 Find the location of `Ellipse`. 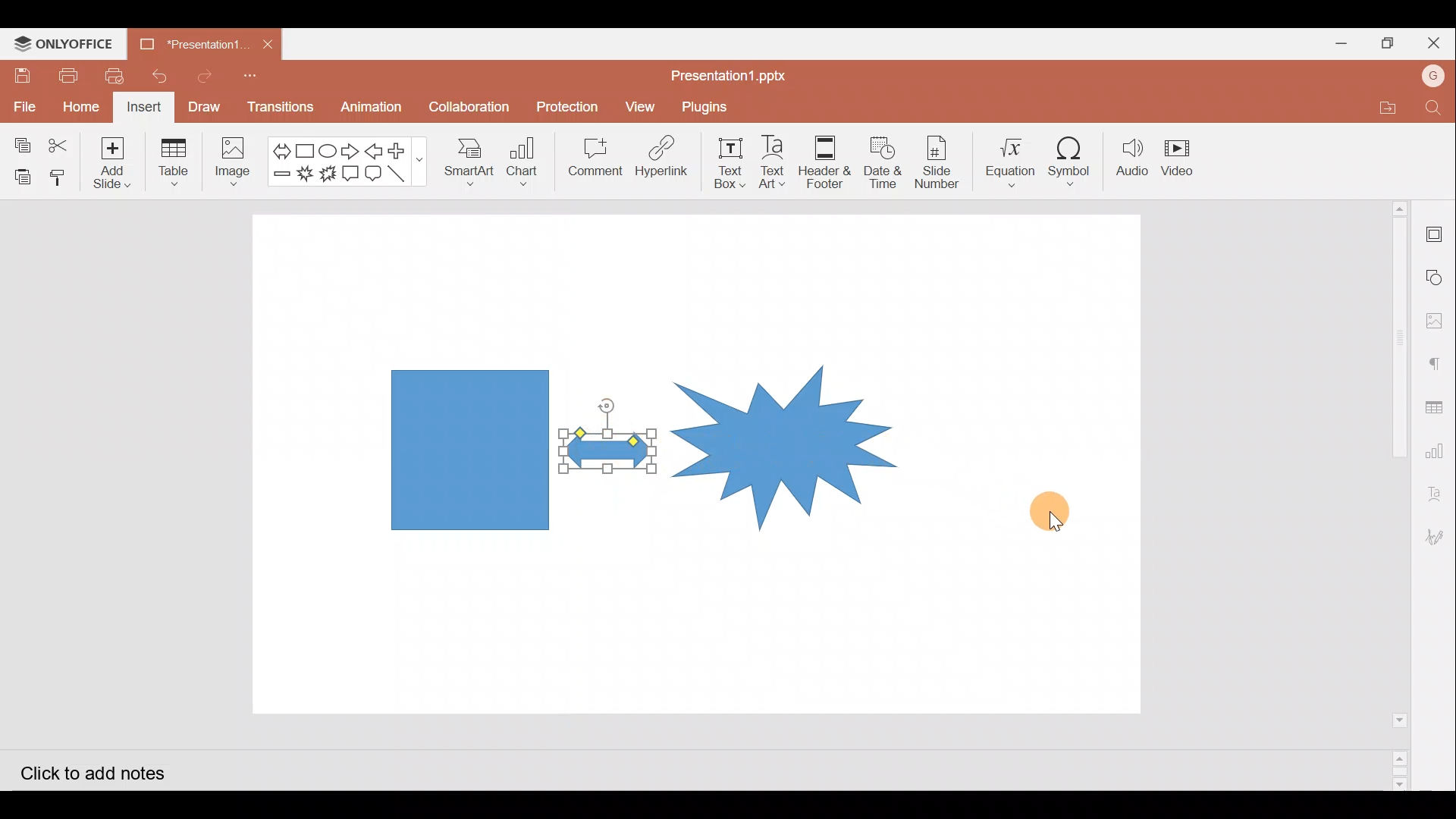

Ellipse is located at coordinates (327, 149).